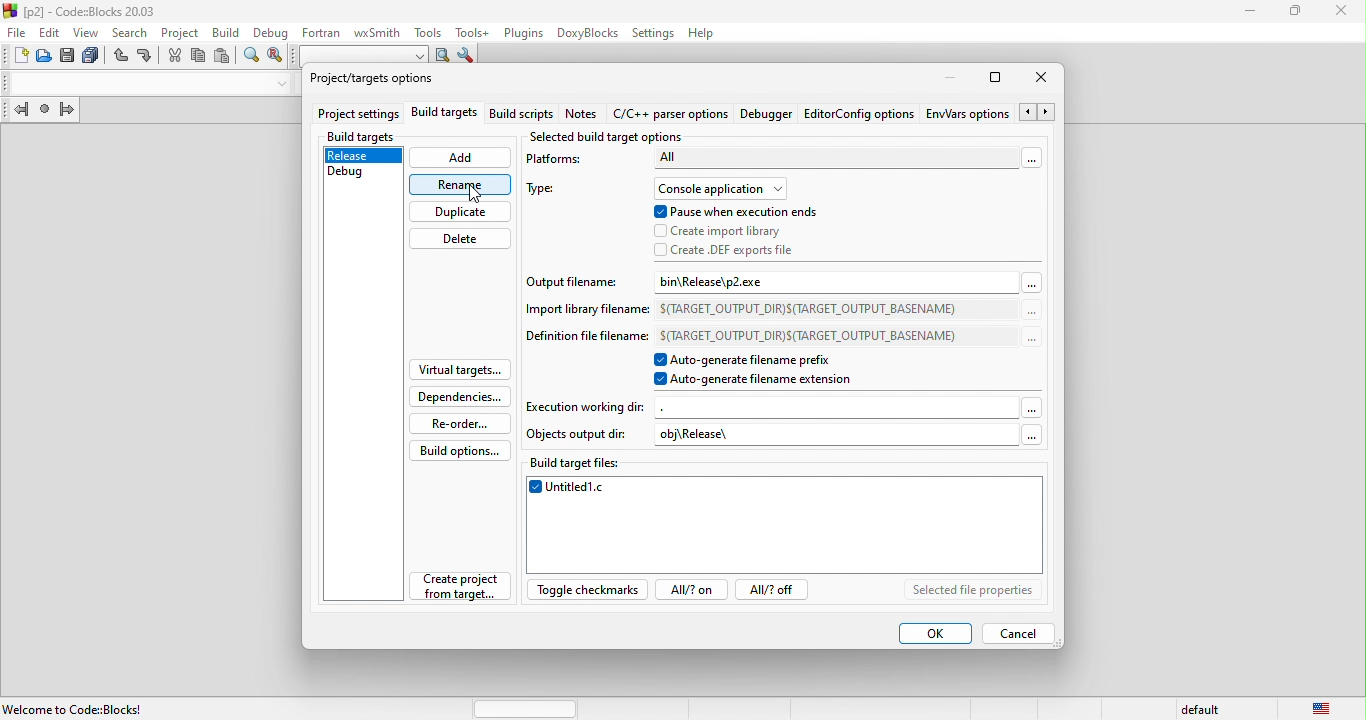 The image size is (1366, 720). Describe the element at coordinates (222, 57) in the screenshot. I see `paste` at that location.